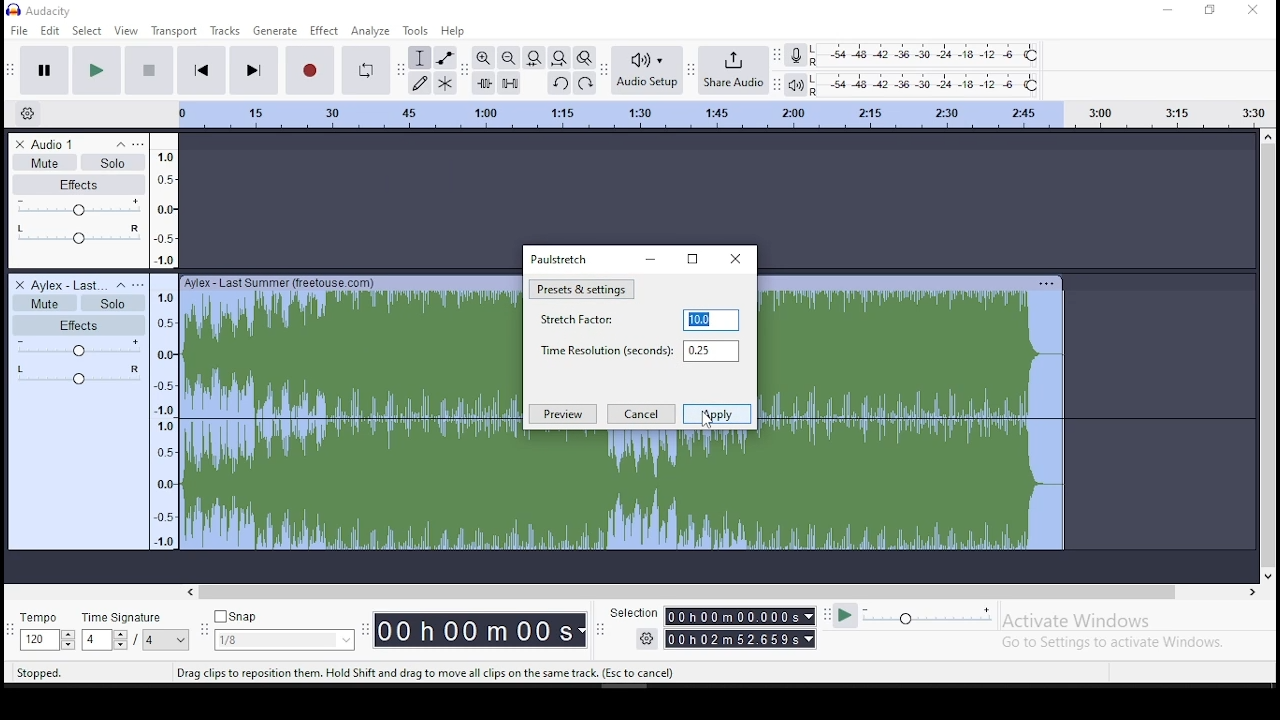 The width and height of the screenshot is (1280, 720). I want to click on settings, so click(31, 111).